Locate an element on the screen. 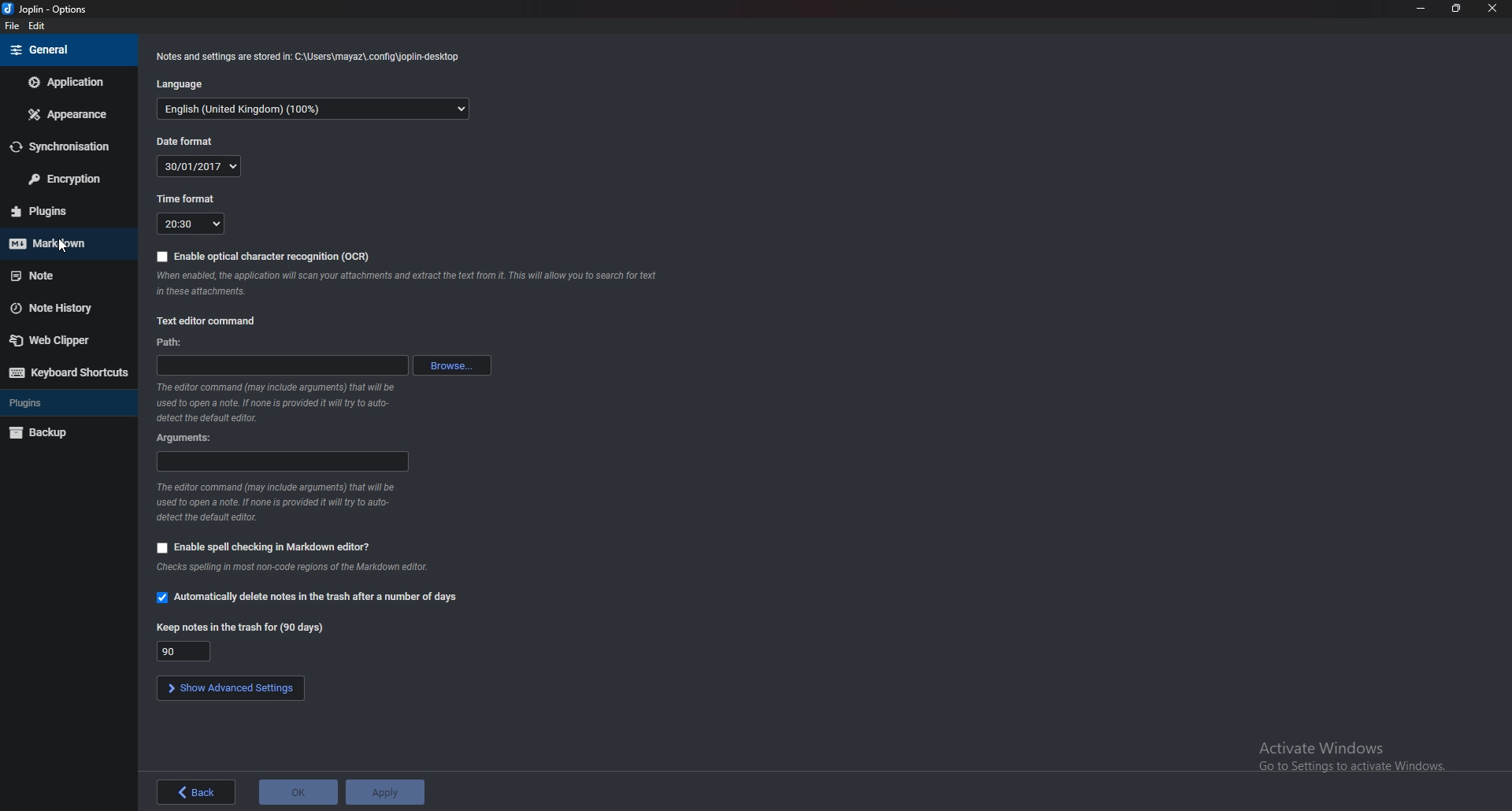  Language is located at coordinates (313, 109).